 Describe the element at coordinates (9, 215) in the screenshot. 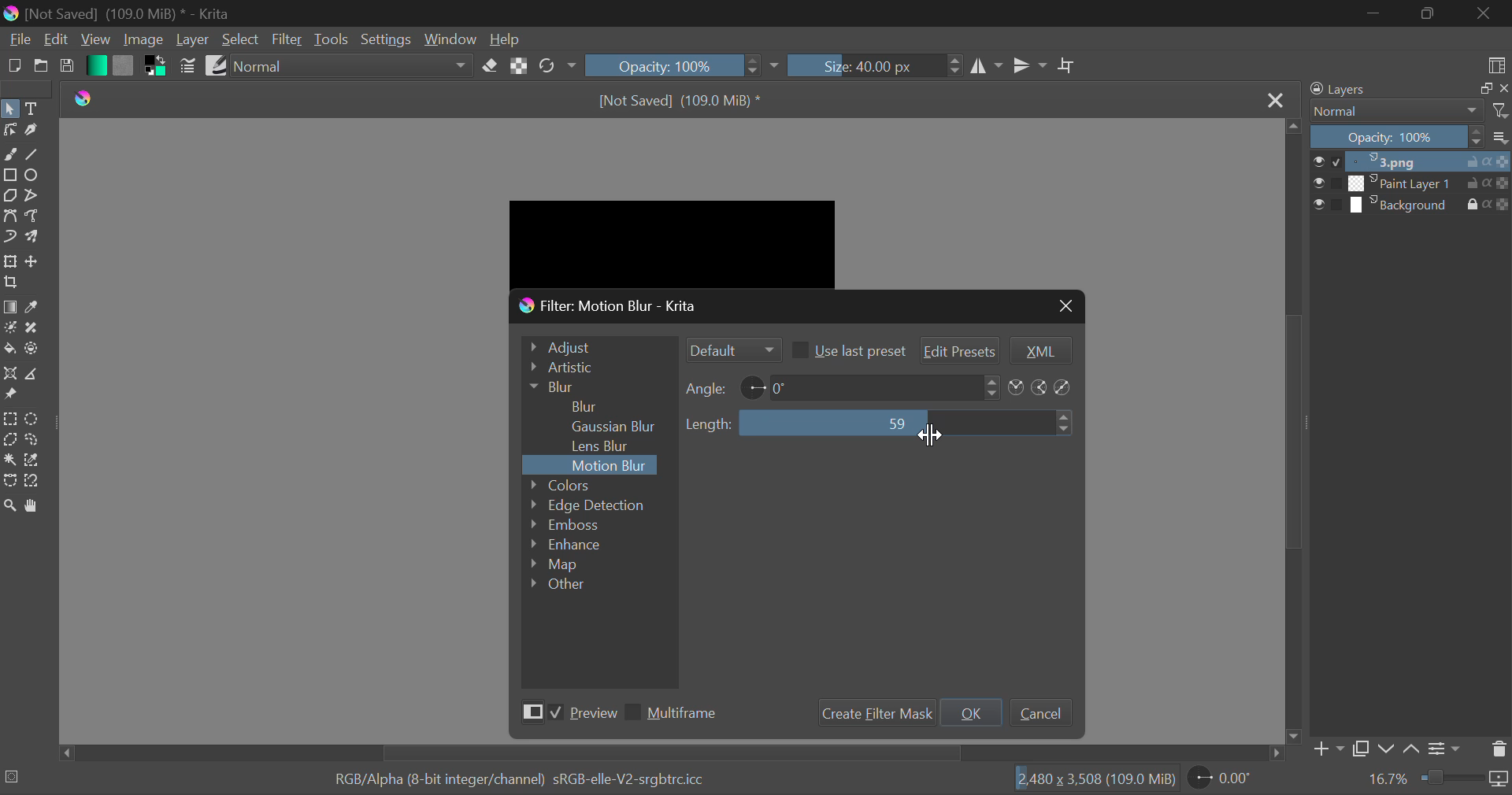

I see `Bezier Curve` at that location.